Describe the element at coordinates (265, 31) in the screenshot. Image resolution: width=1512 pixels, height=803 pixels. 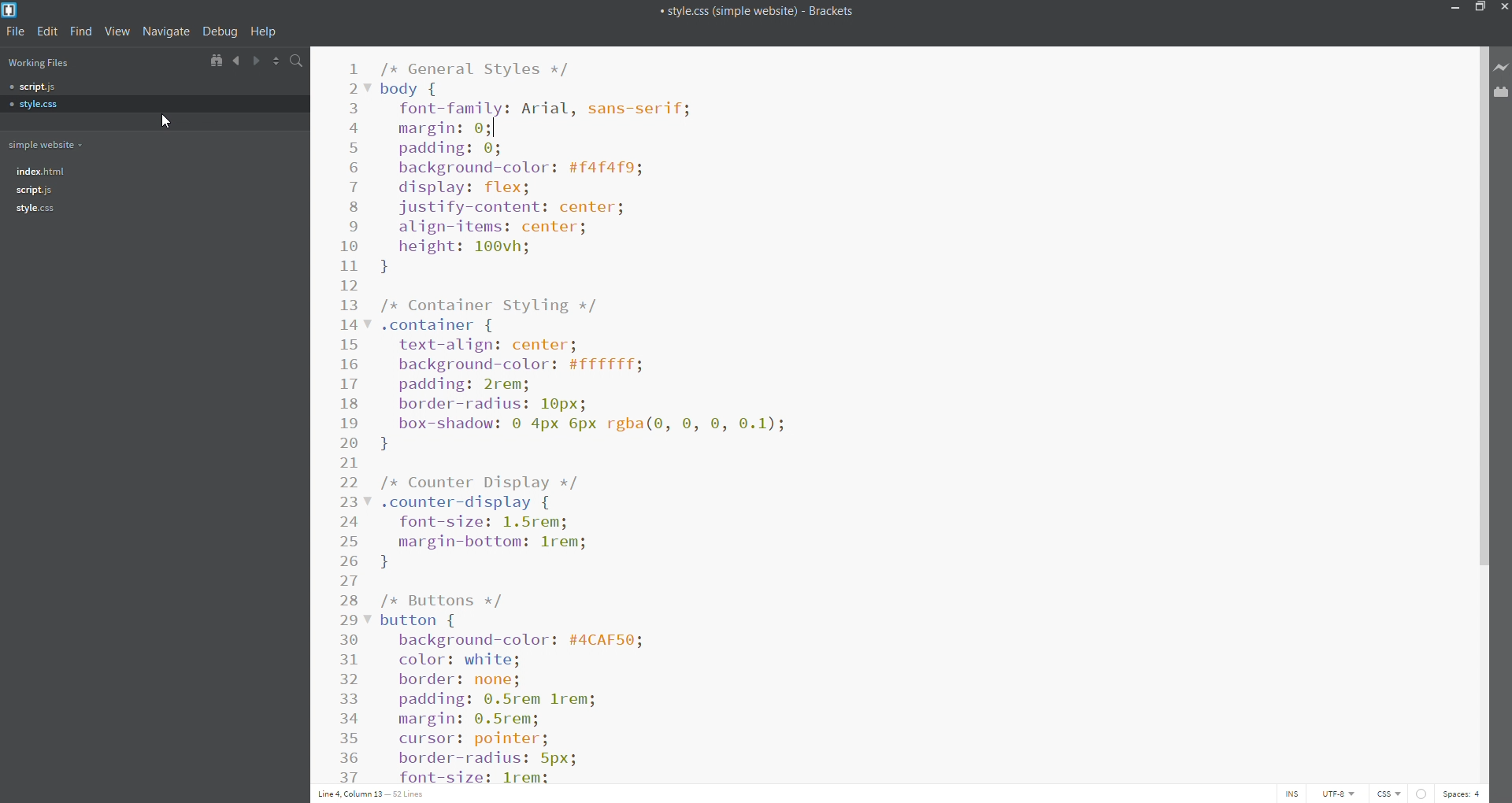
I see `help` at that location.